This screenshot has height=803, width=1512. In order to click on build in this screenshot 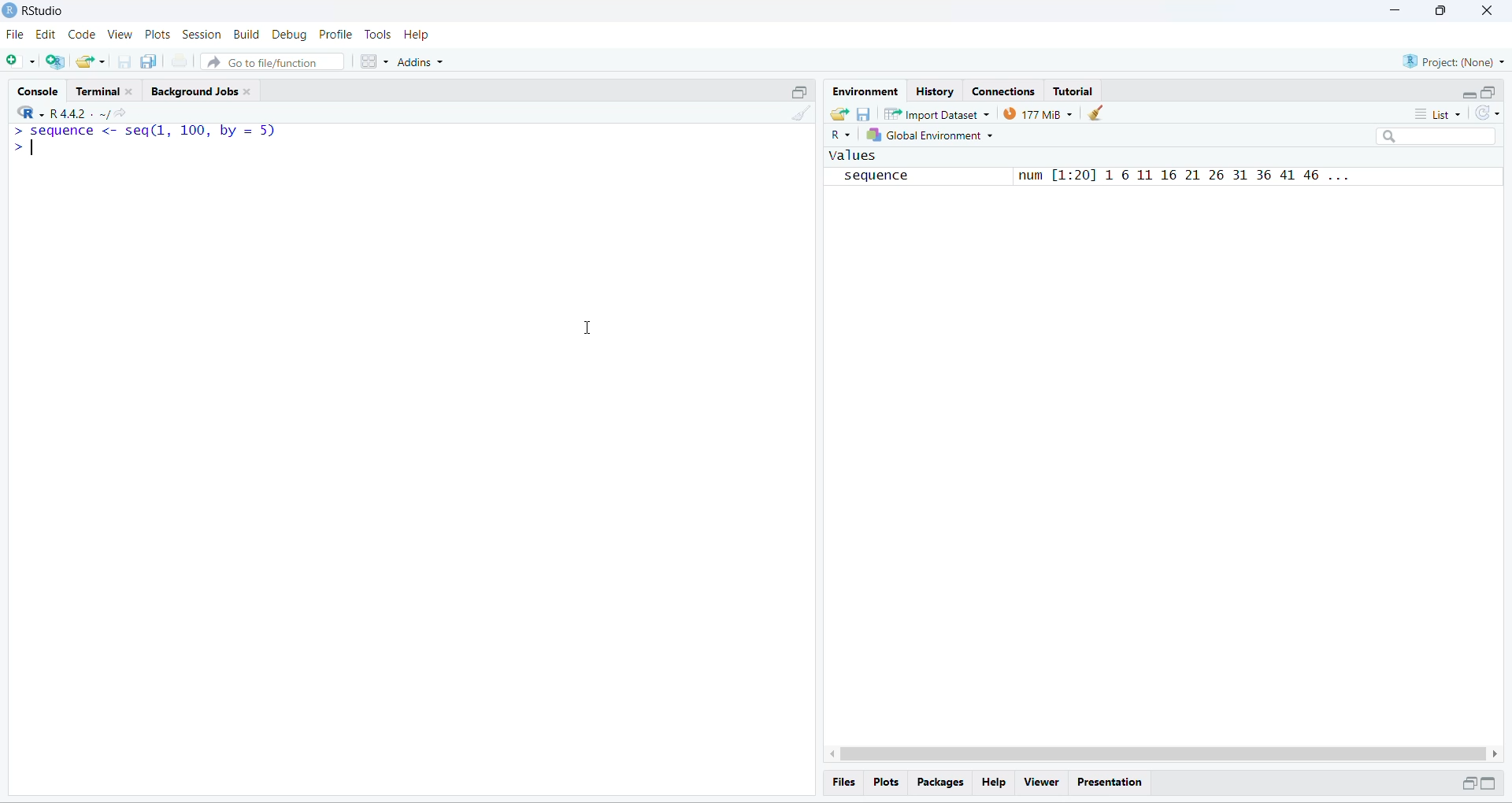, I will do `click(247, 35)`.